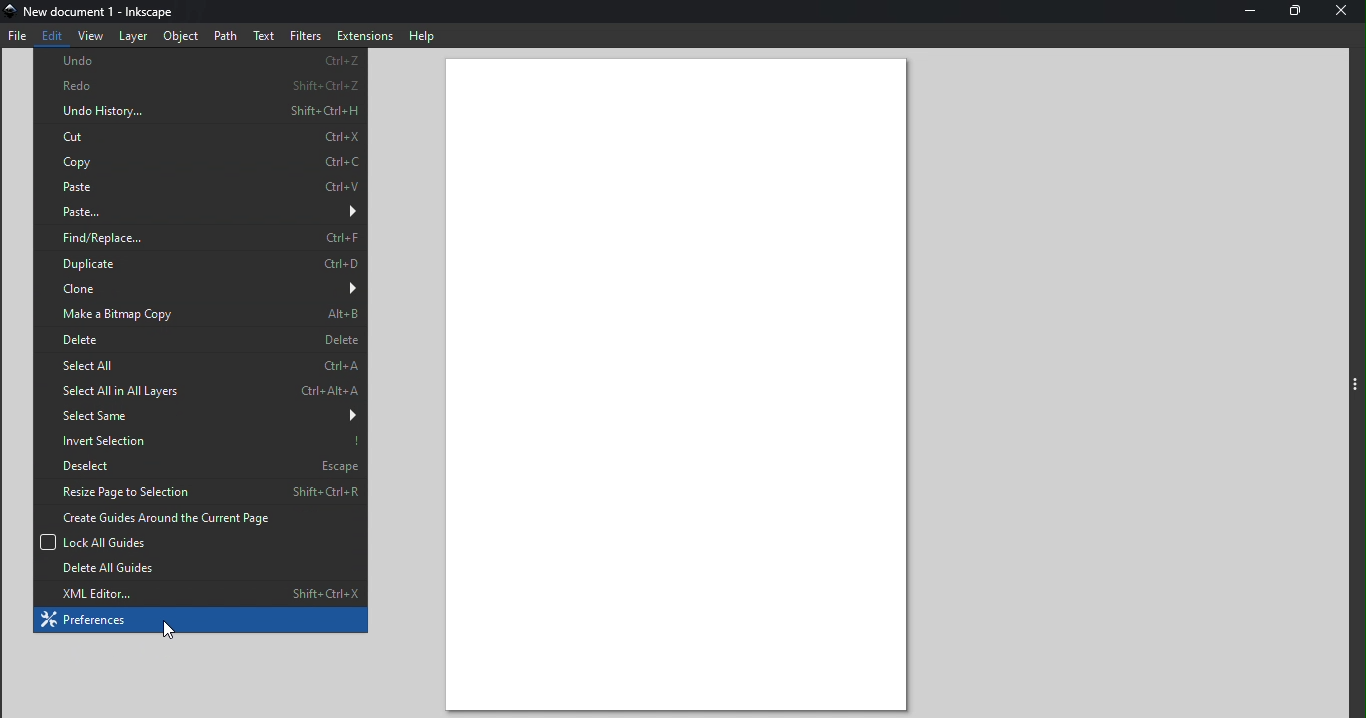 The image size is (1366, 718). What do you see at coordinates (18, 39) in the screenshot?
I see `File` at bounding box center [18, 39].